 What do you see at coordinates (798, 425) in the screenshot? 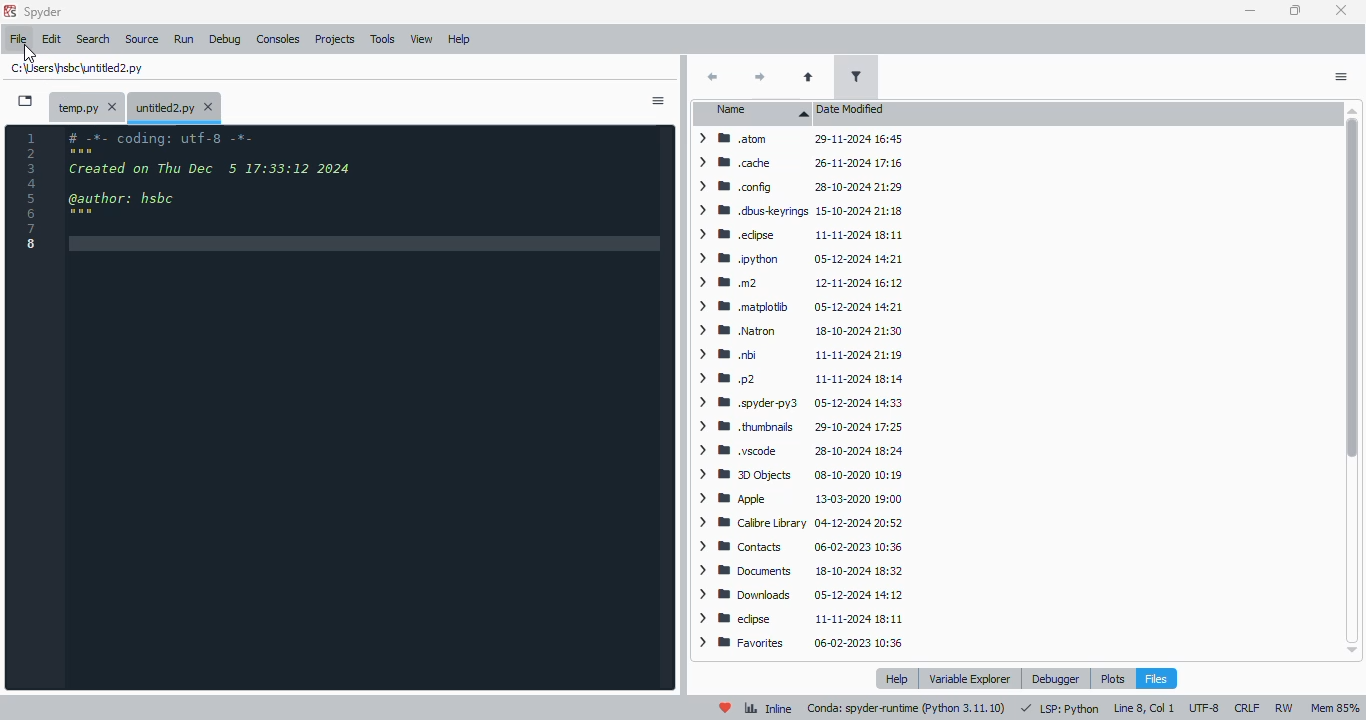
I see `> WB thumbnails 29-10-2024 17:25` at bounding box center [798, 425].